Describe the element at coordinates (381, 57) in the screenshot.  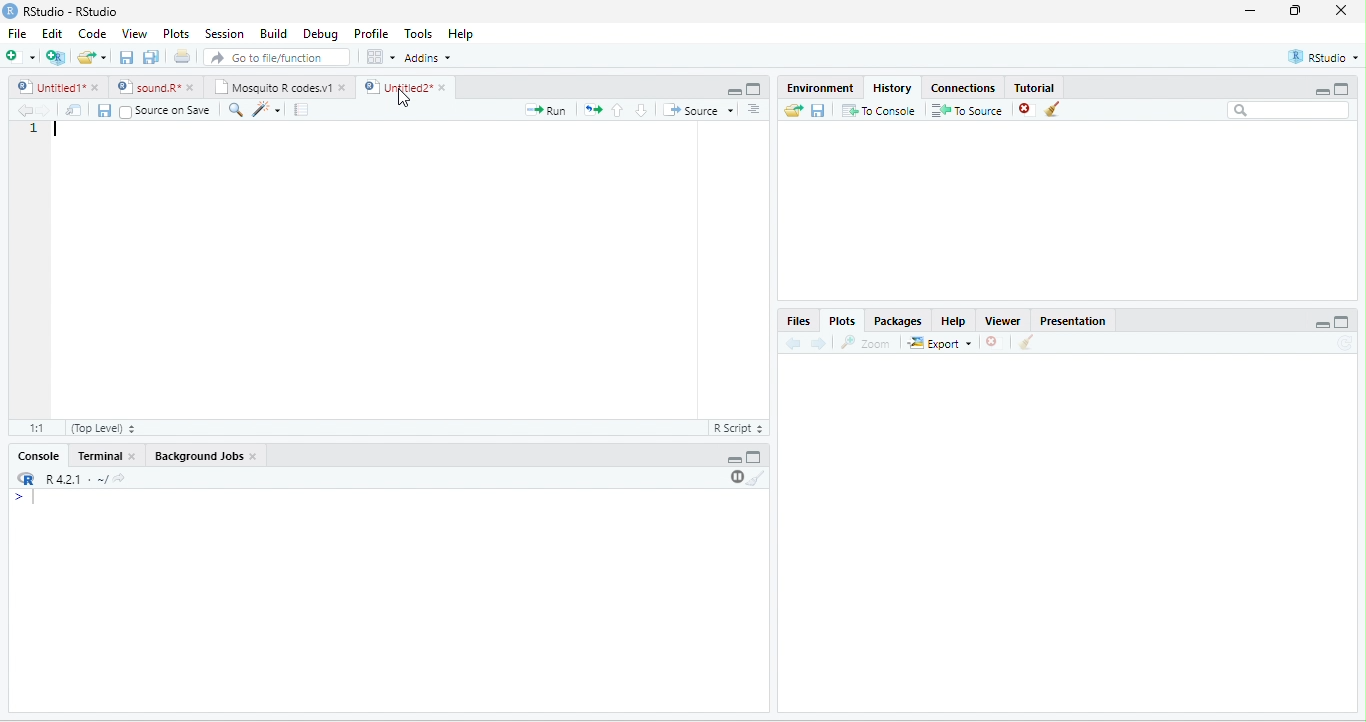
I see `options` at that location.